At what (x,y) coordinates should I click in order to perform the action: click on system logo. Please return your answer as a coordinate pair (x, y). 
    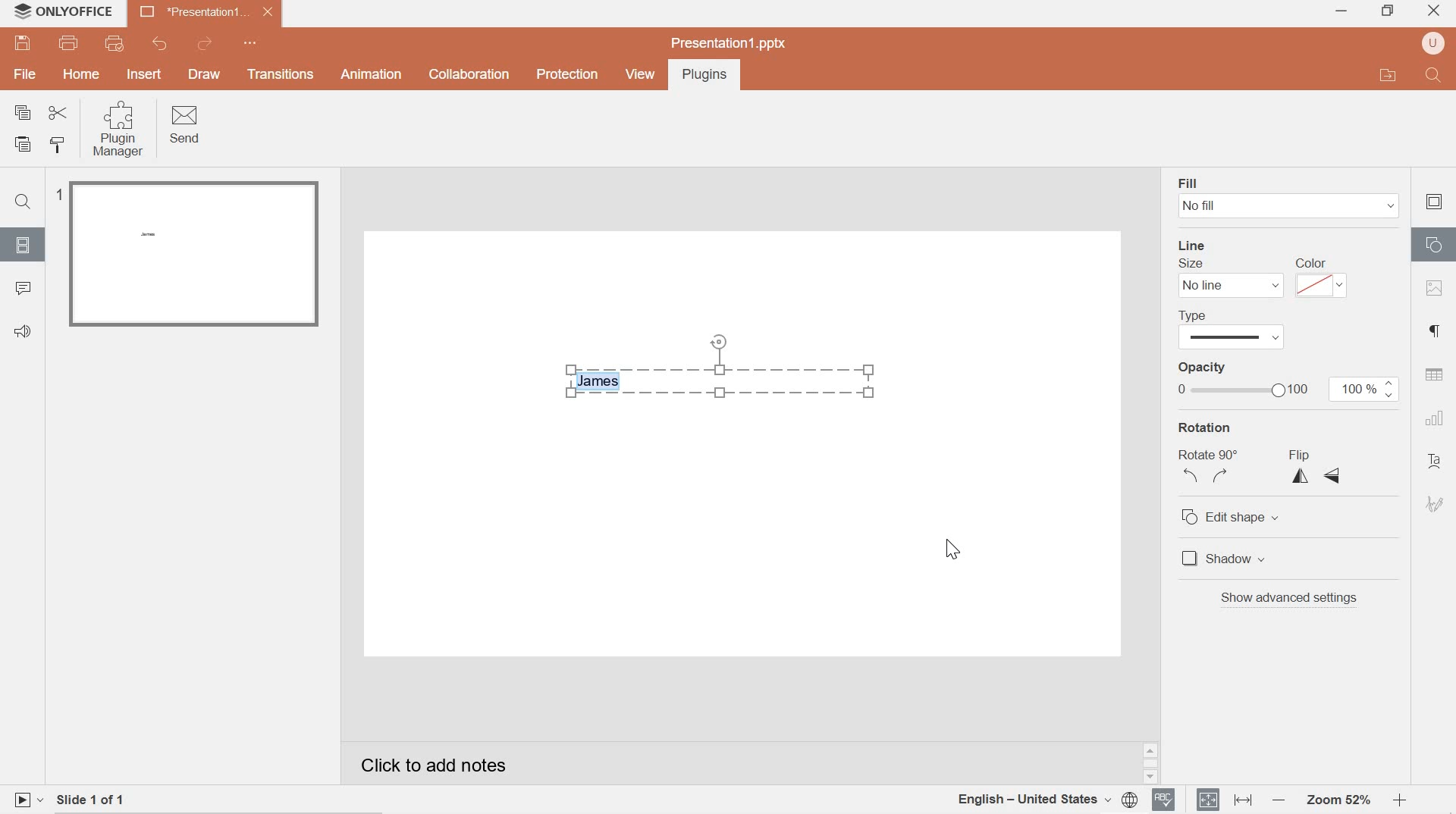
    Looking at the image, I should click on (21, 11).